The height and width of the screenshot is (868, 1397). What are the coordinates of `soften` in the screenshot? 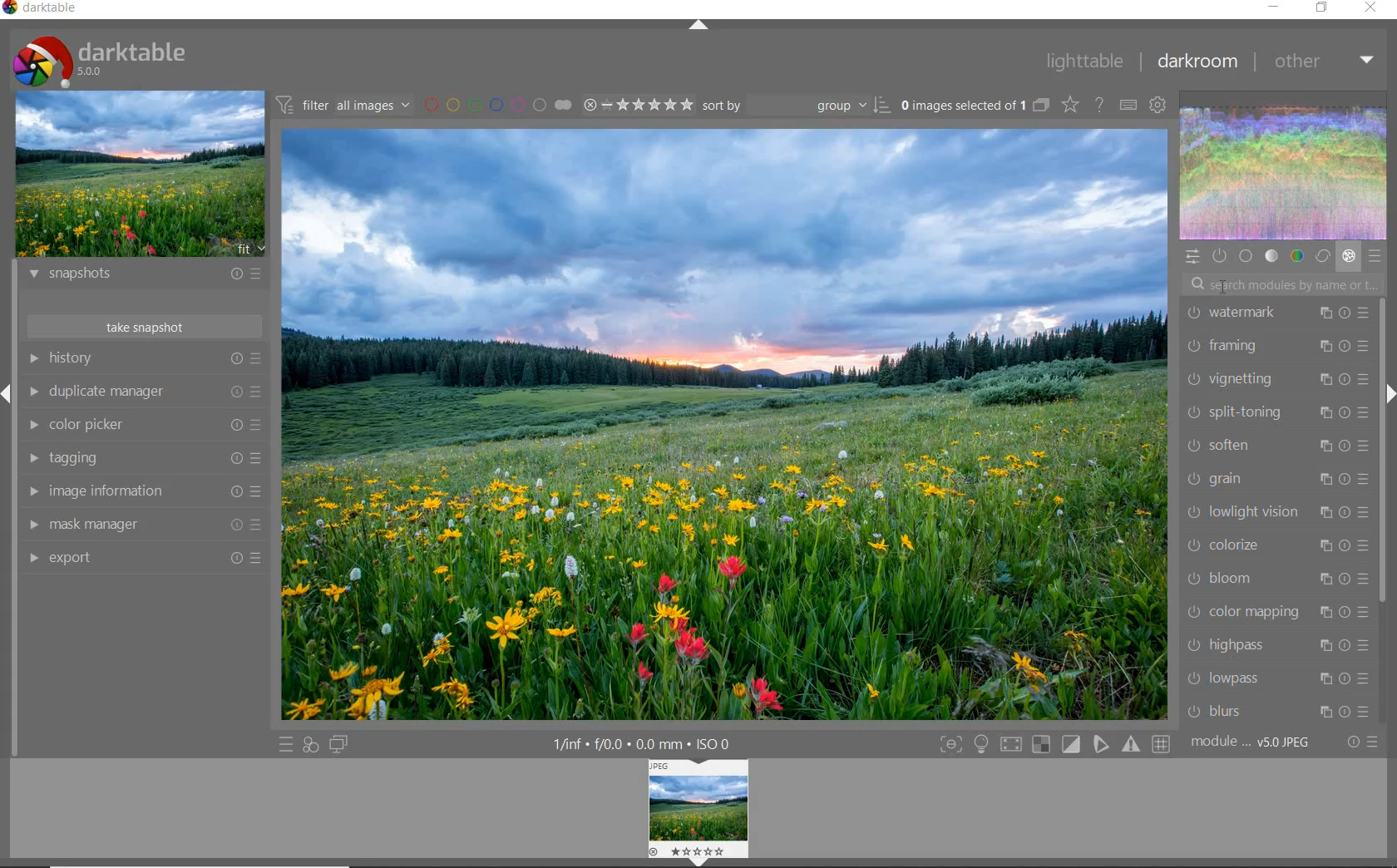 It's located at (1276, 446).